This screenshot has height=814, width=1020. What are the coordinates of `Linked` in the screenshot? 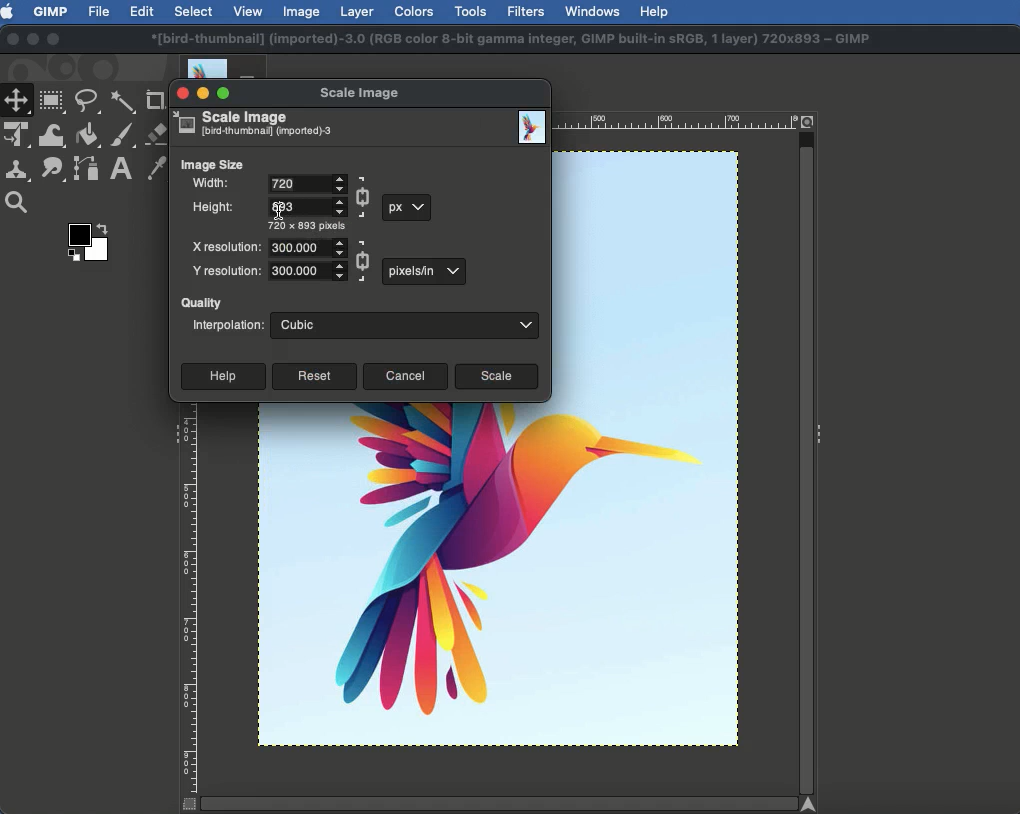 It's located at (363, 195).